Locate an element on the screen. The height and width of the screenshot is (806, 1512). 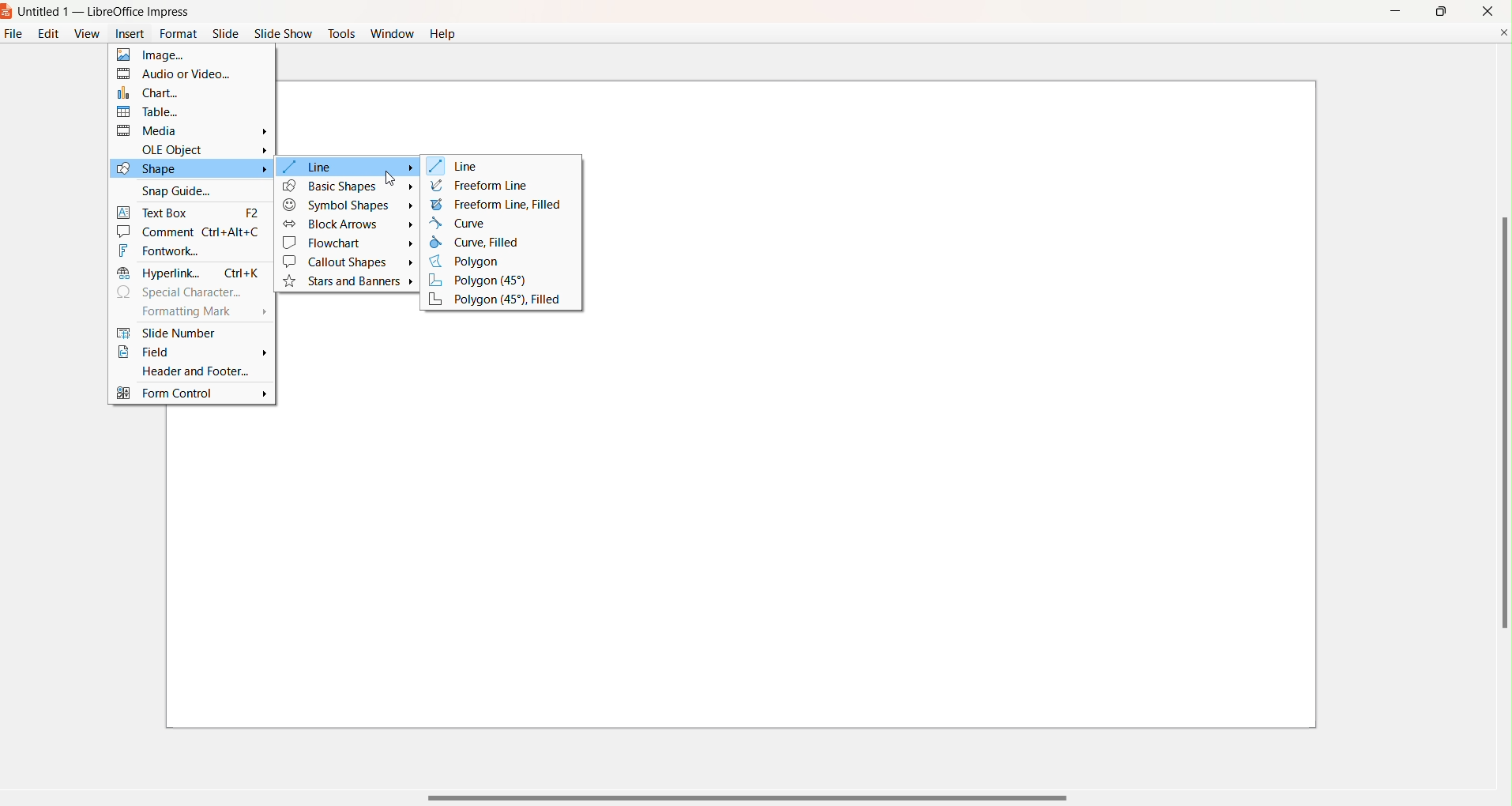
Header and Footer is located at coordinates (188, 371).